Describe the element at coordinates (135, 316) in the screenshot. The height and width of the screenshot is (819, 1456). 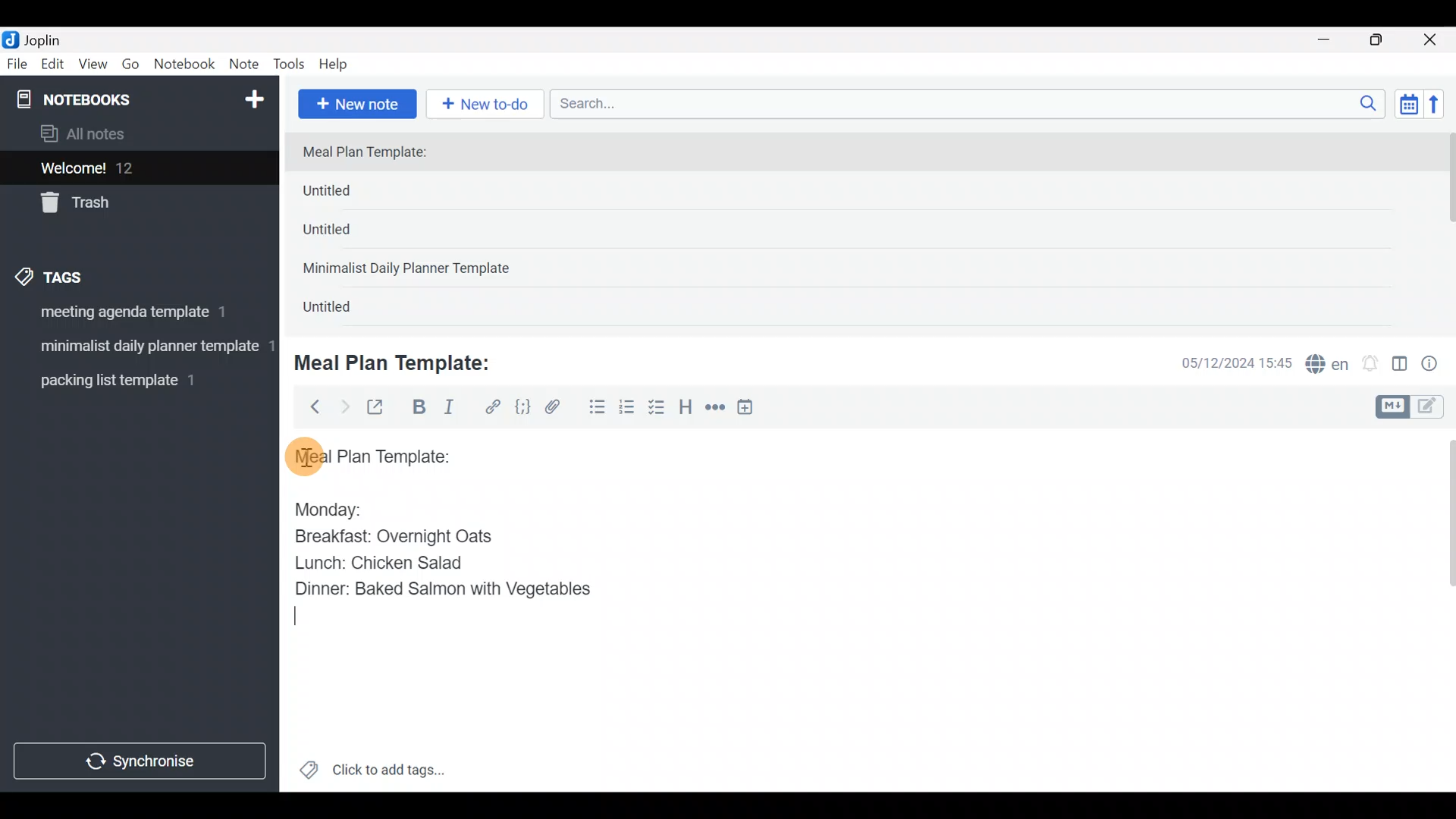
I see `Tag 1` at that location.